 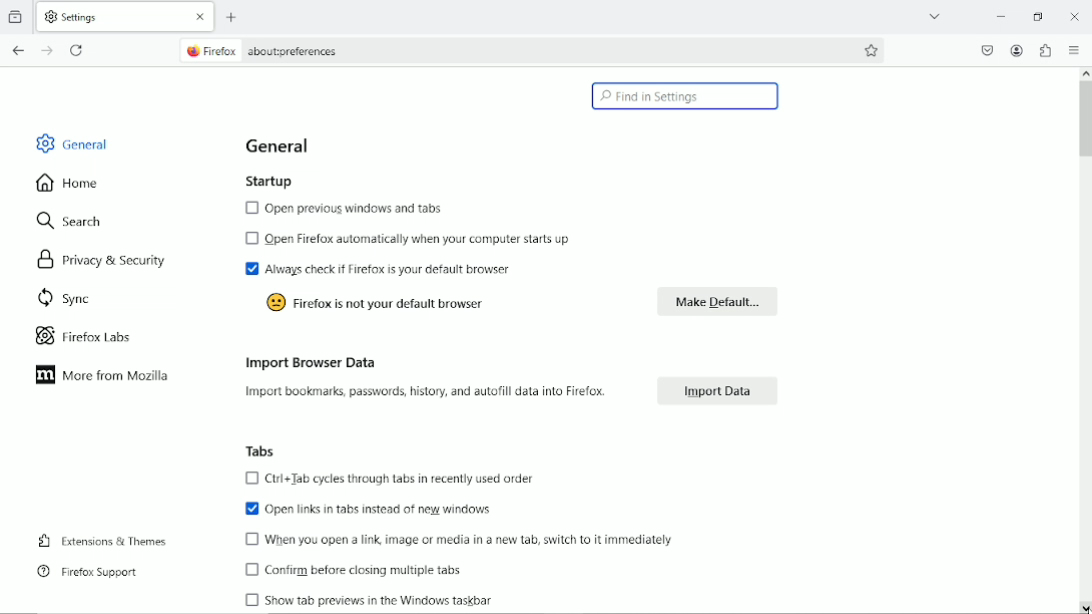 I want to click on Import data, so click(x=715, y=389).